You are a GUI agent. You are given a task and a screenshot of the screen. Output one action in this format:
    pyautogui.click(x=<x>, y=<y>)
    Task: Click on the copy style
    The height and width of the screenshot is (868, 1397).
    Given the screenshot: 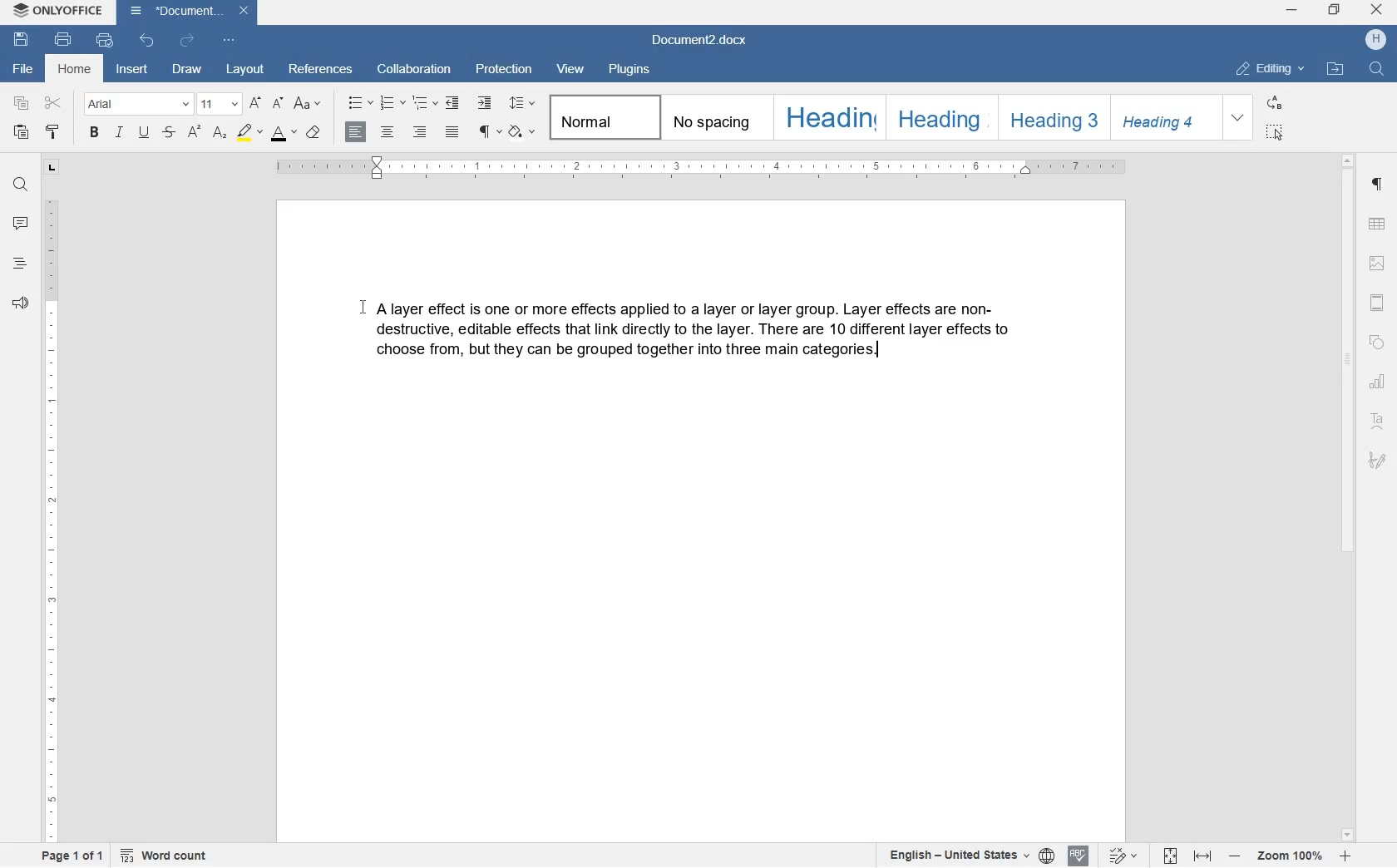 What is the action you would take?
    pyautogui.click(x=53, y=133)
    